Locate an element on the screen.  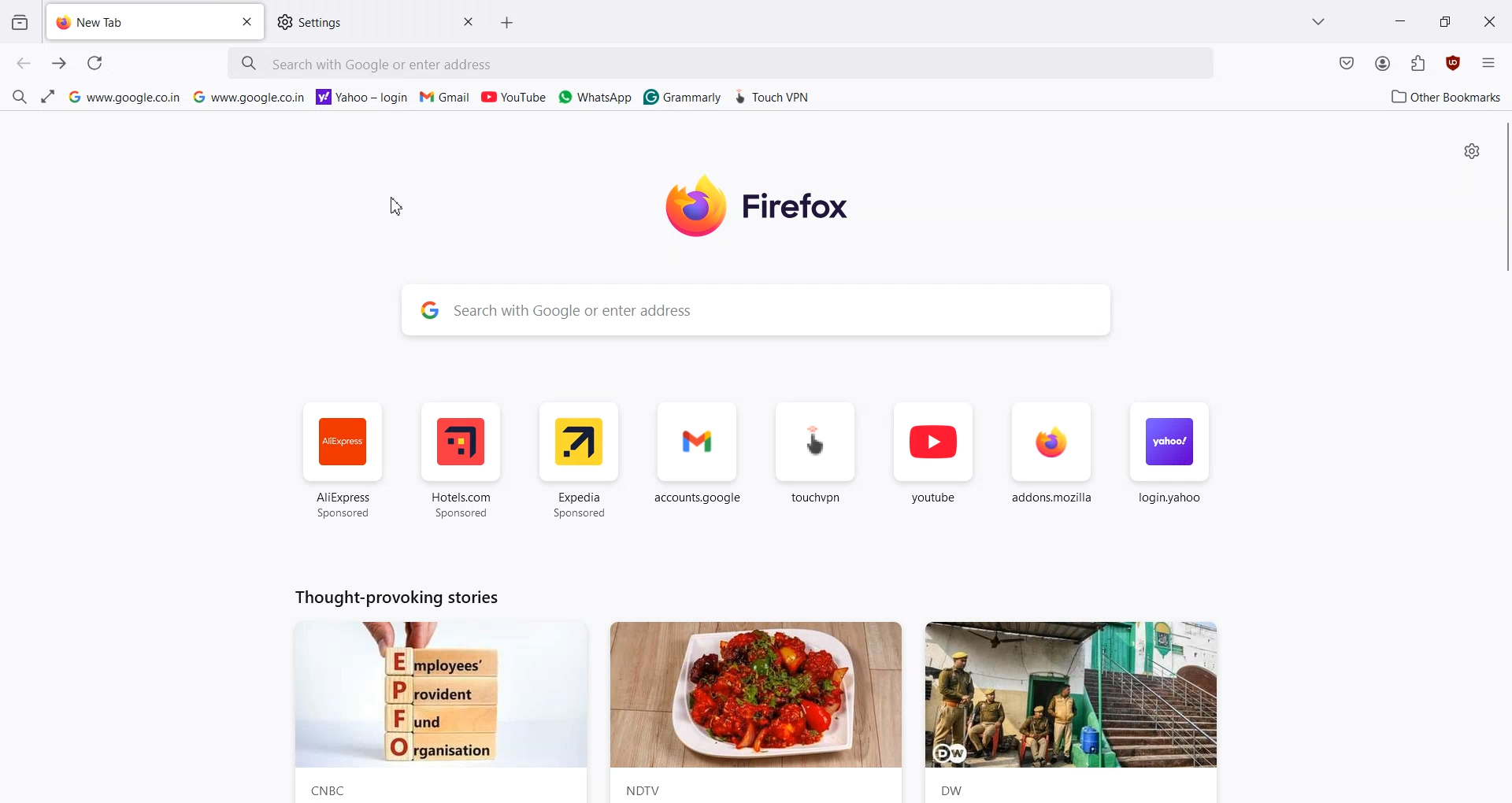
Close is located at coordinates (1491, 20).